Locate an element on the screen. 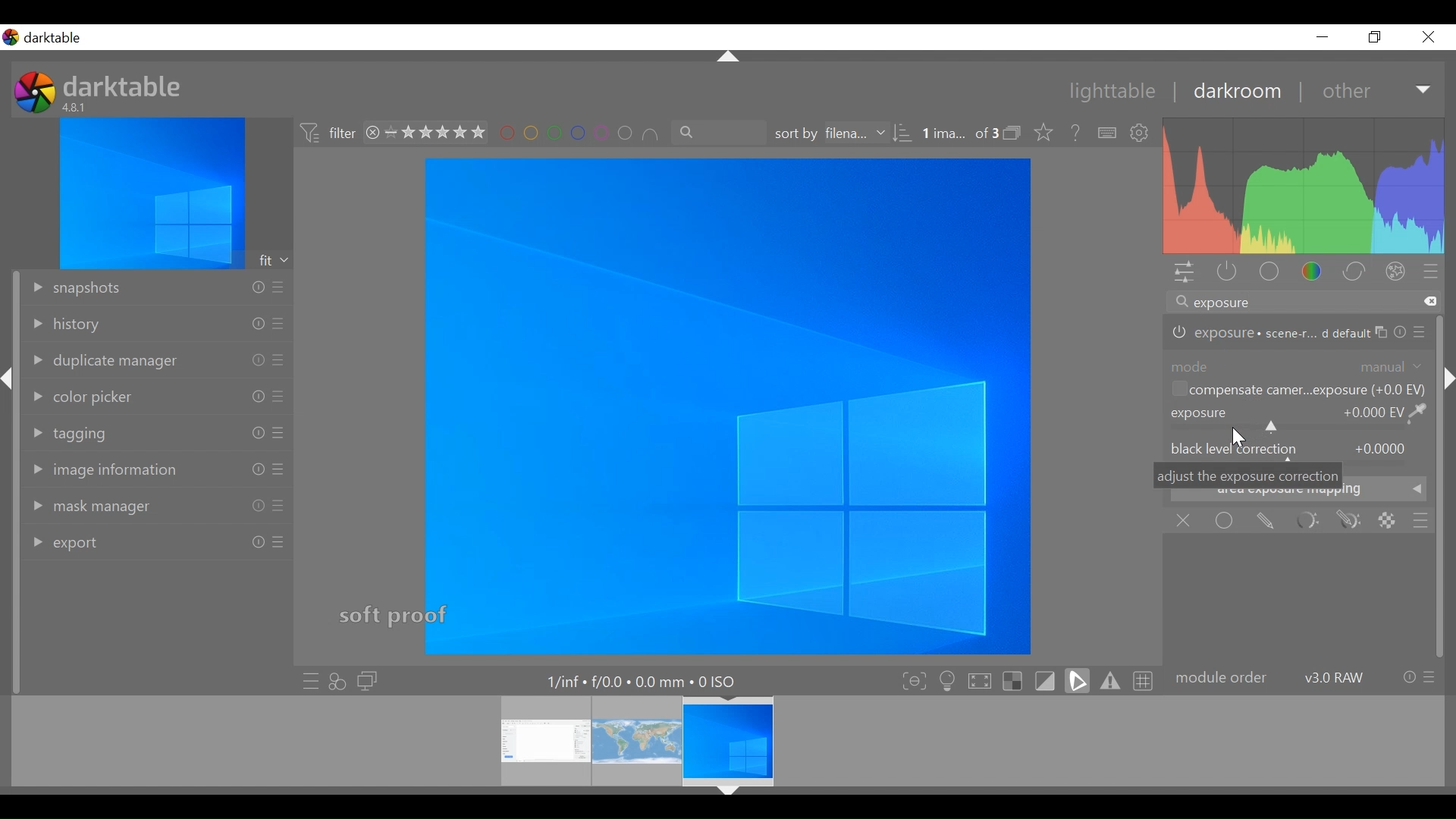  color picker is located at coordinates (81, 398).